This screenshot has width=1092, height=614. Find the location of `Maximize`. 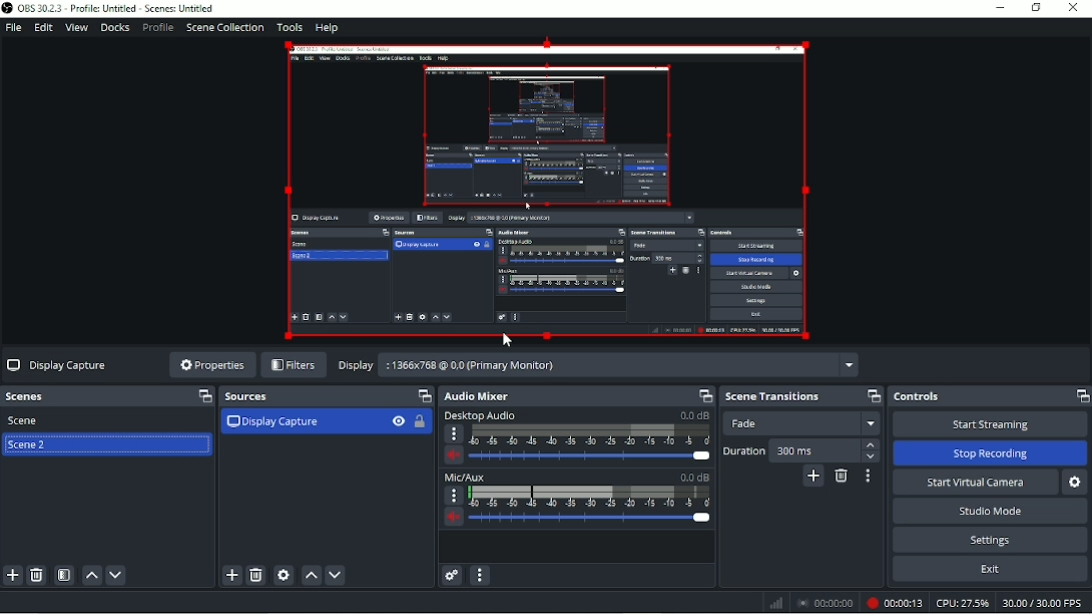

Maximize is located at coordinates (1081, 395).